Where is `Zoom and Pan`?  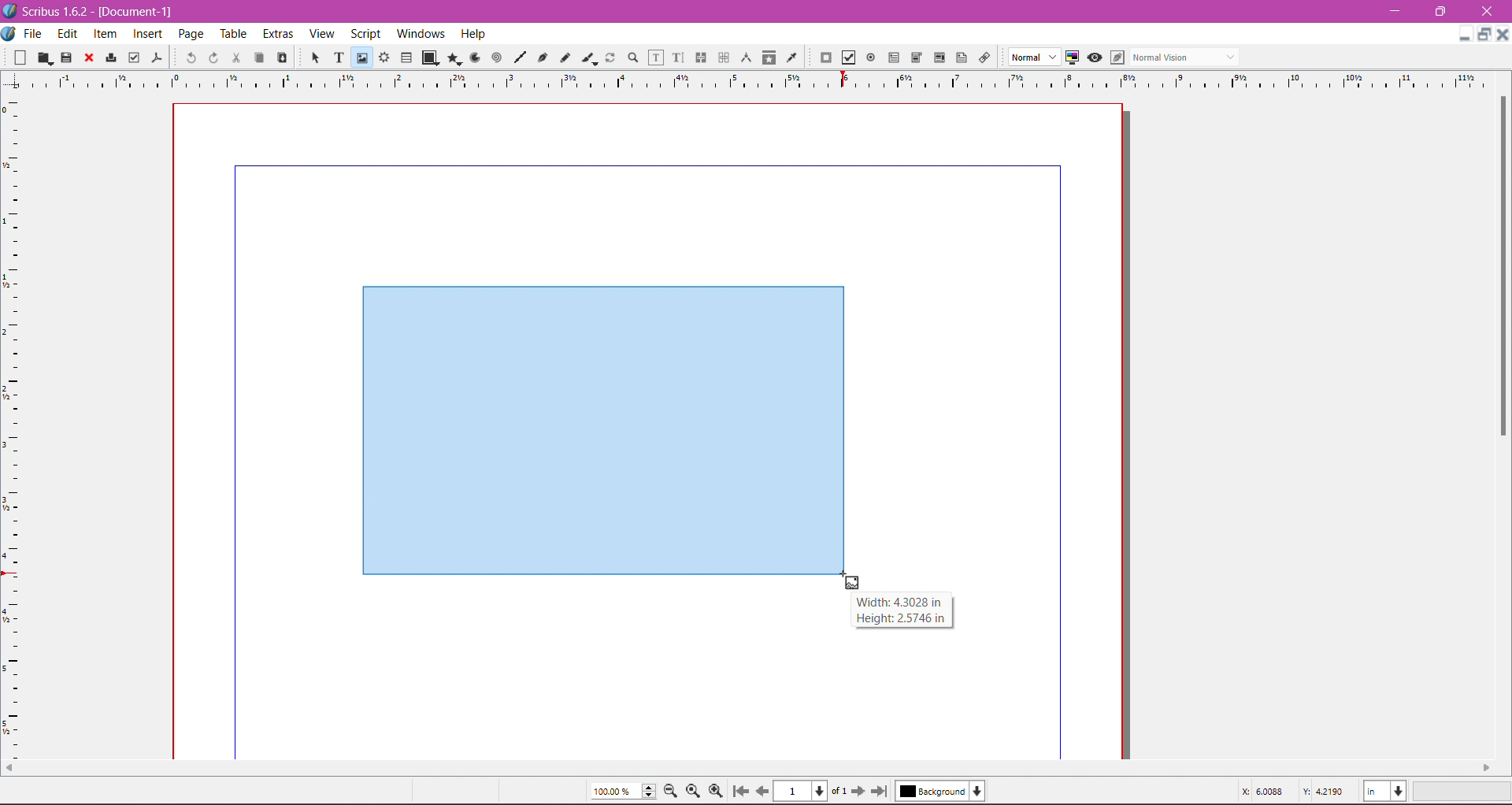
Zoom and Pan is located at coordinates (632, 58).